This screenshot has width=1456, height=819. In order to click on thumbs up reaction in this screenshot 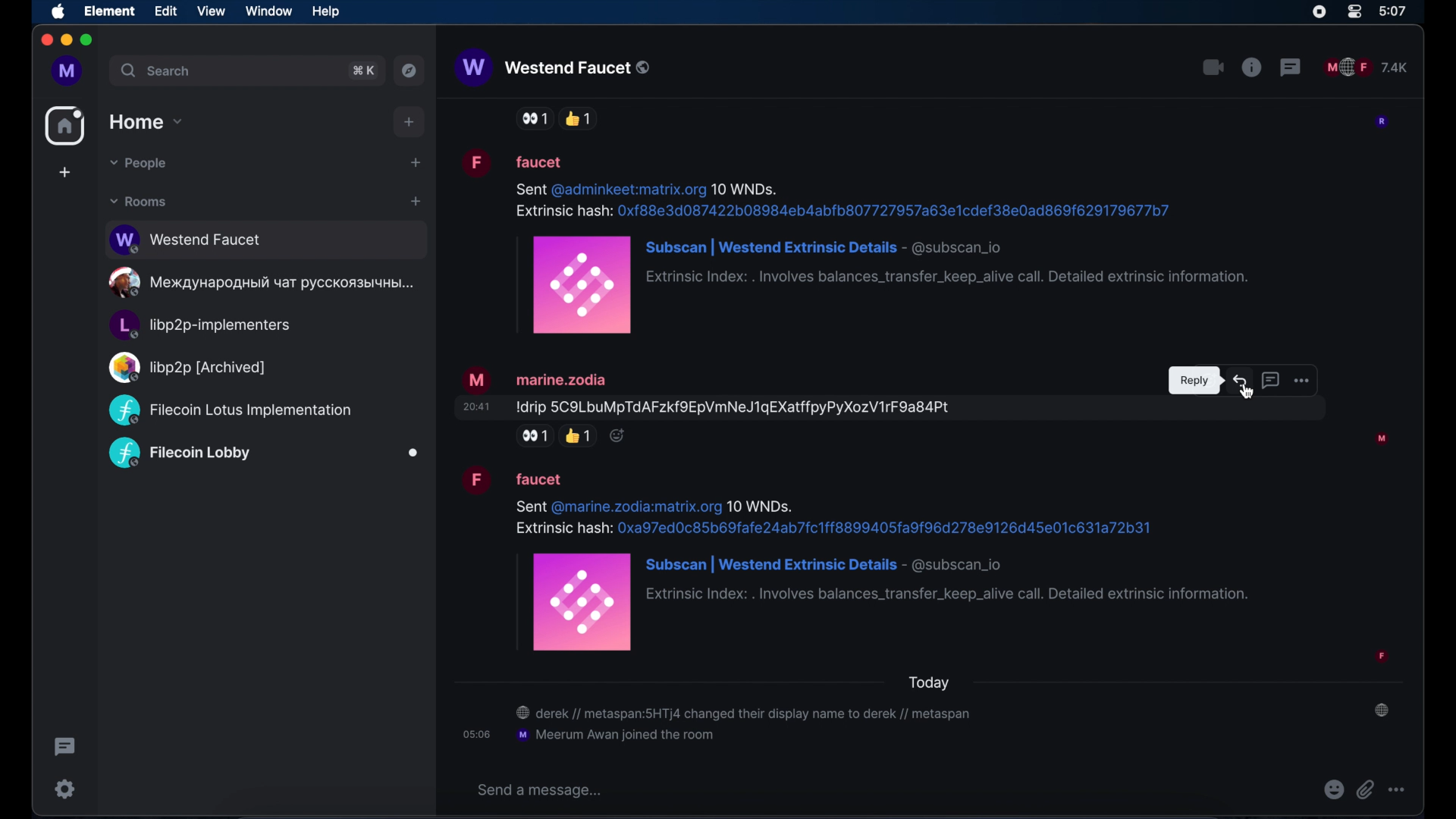, I will do `click(580, 121)`.